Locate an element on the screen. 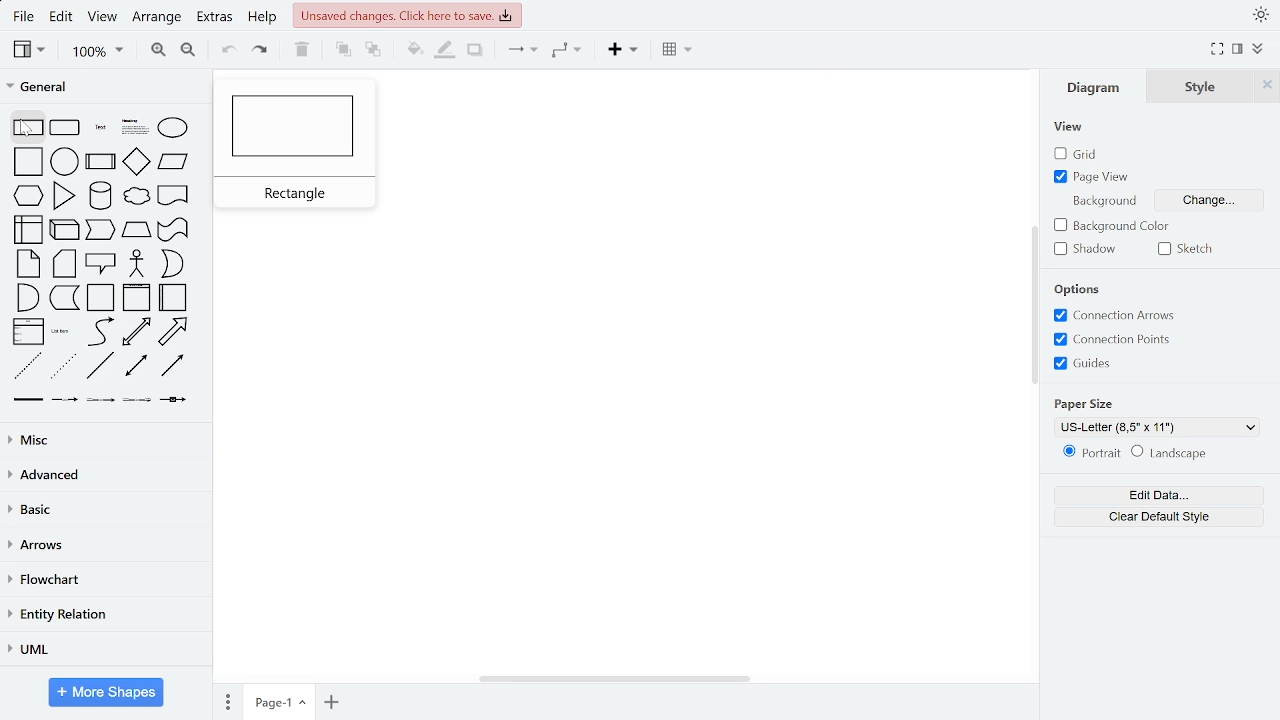  cursor is located at coordinates (33, 131).